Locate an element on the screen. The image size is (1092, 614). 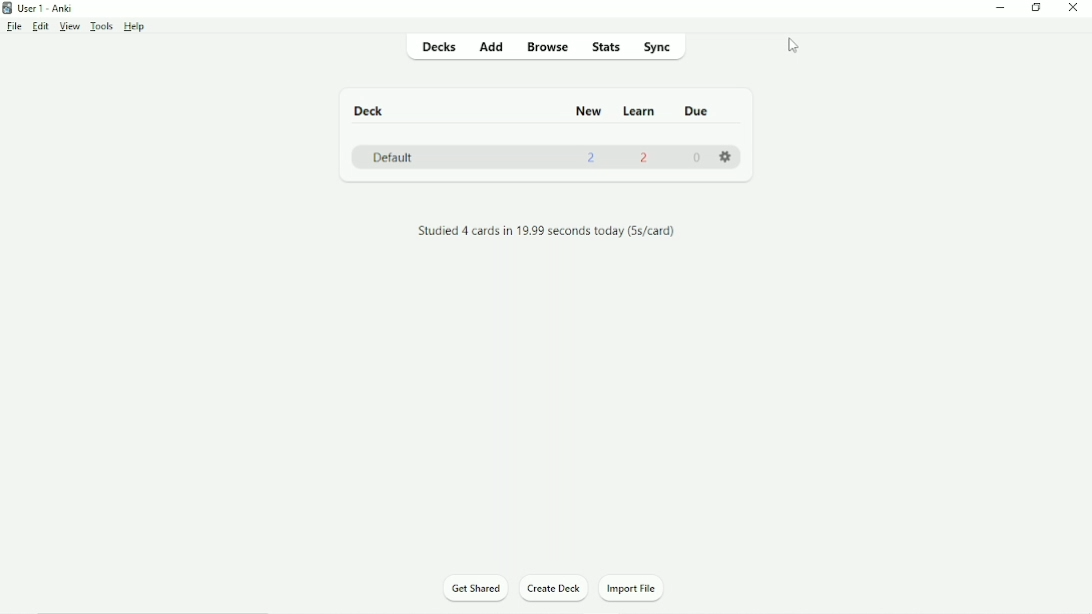
Get Shared is located at coordinates (476, 589).